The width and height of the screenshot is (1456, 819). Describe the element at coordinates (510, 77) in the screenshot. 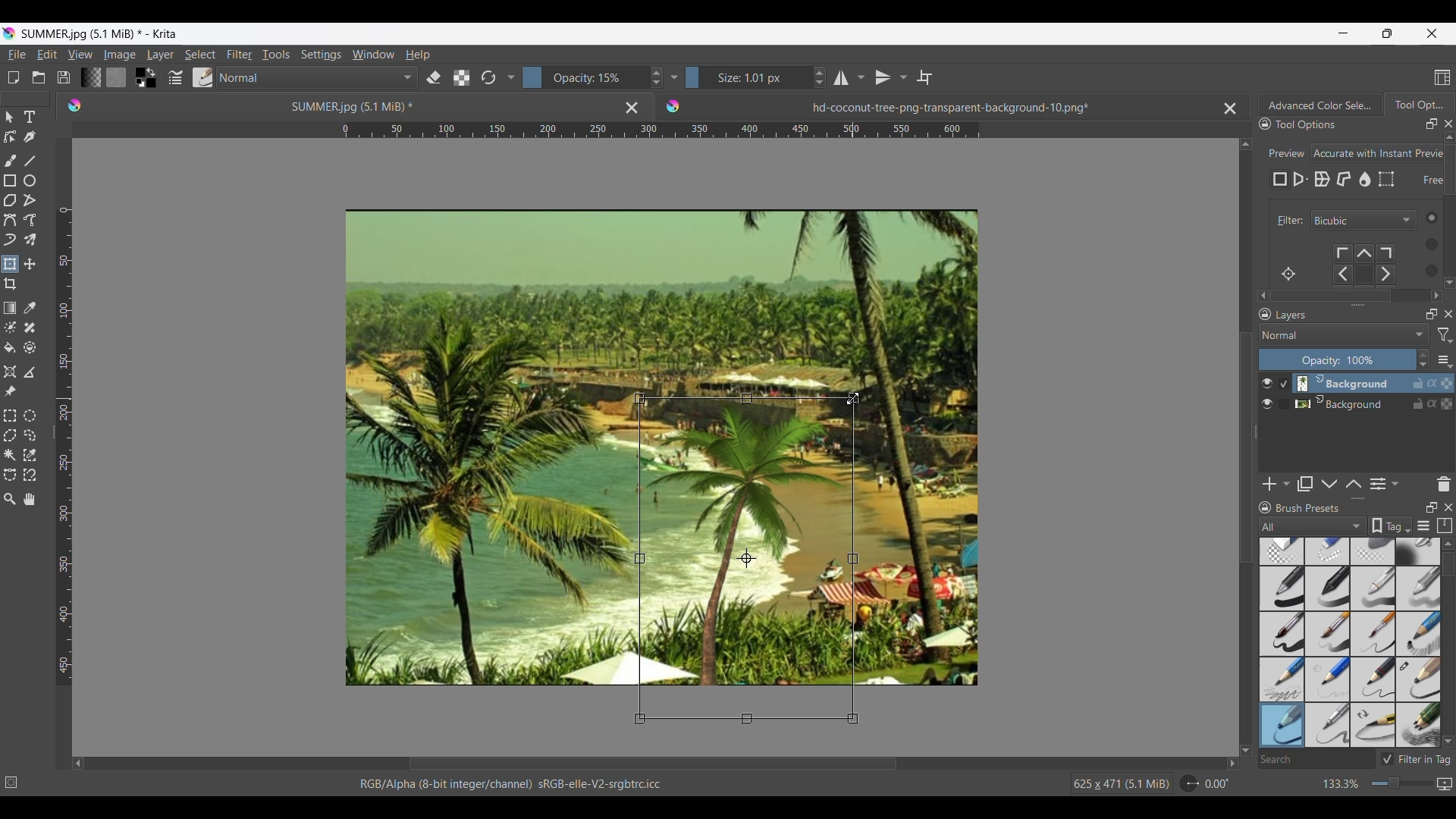

I see `Consolidated toolbar` at that location.